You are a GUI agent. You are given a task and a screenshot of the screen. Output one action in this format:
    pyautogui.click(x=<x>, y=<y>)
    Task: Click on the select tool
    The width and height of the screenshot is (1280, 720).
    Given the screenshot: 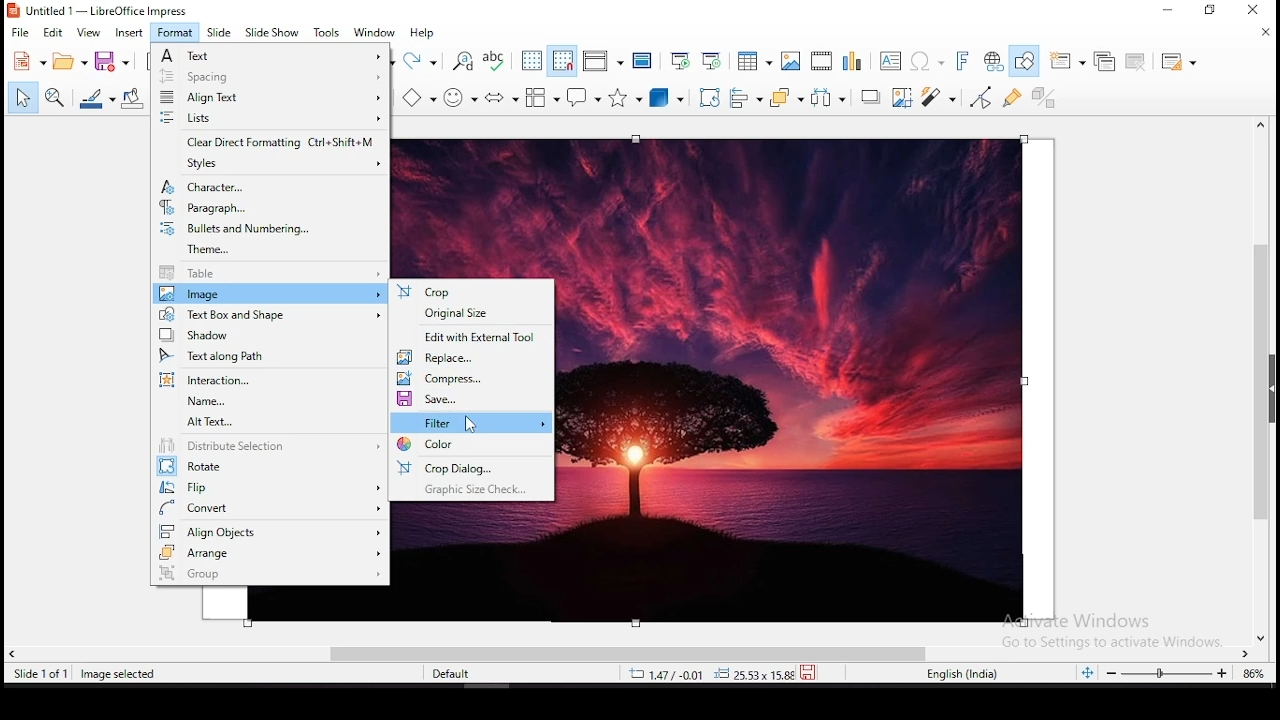 What is the action you would take?
    pyautogui.click(x=20, y=99)
    